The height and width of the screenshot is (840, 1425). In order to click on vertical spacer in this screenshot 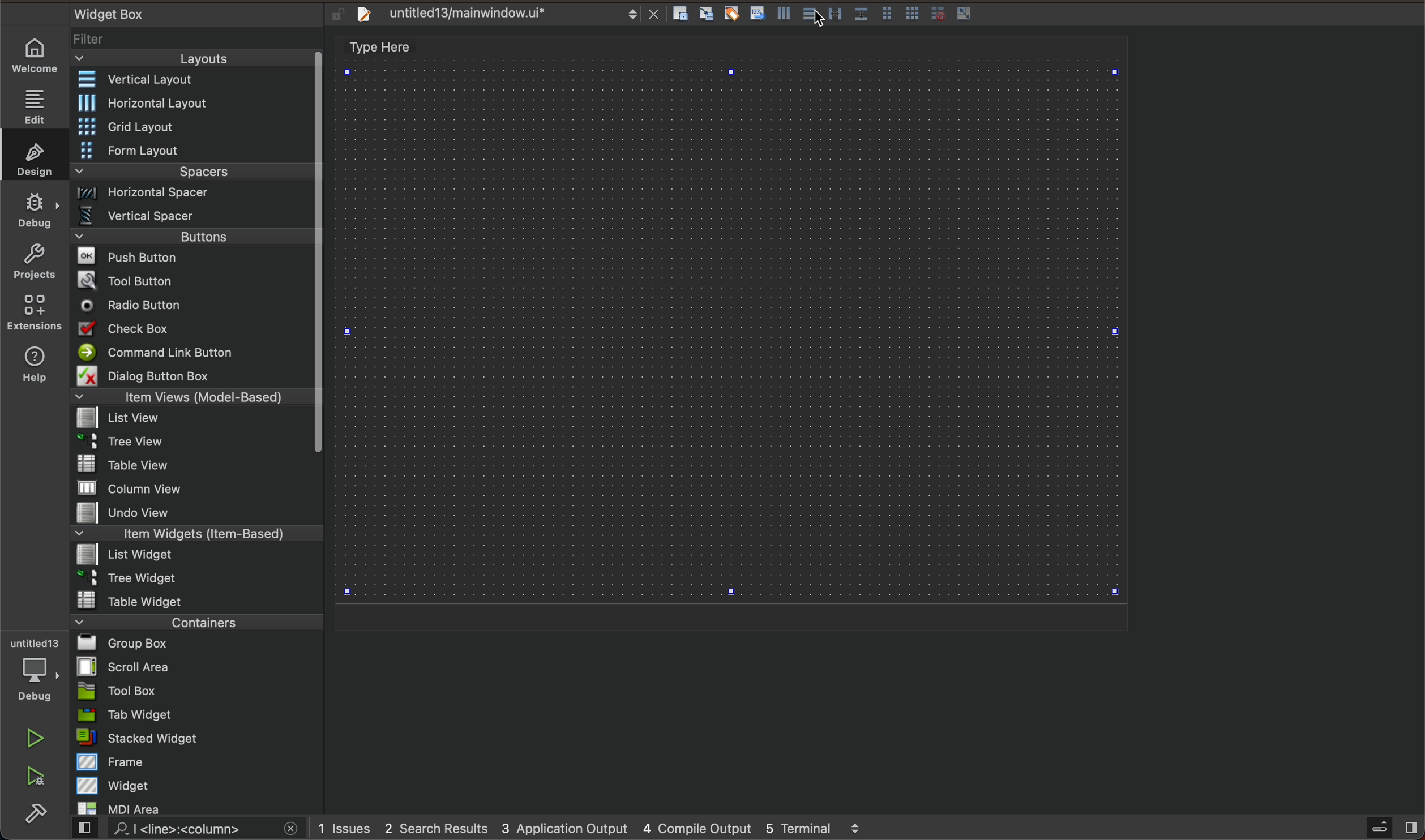, I will do `click(192, 216)`.